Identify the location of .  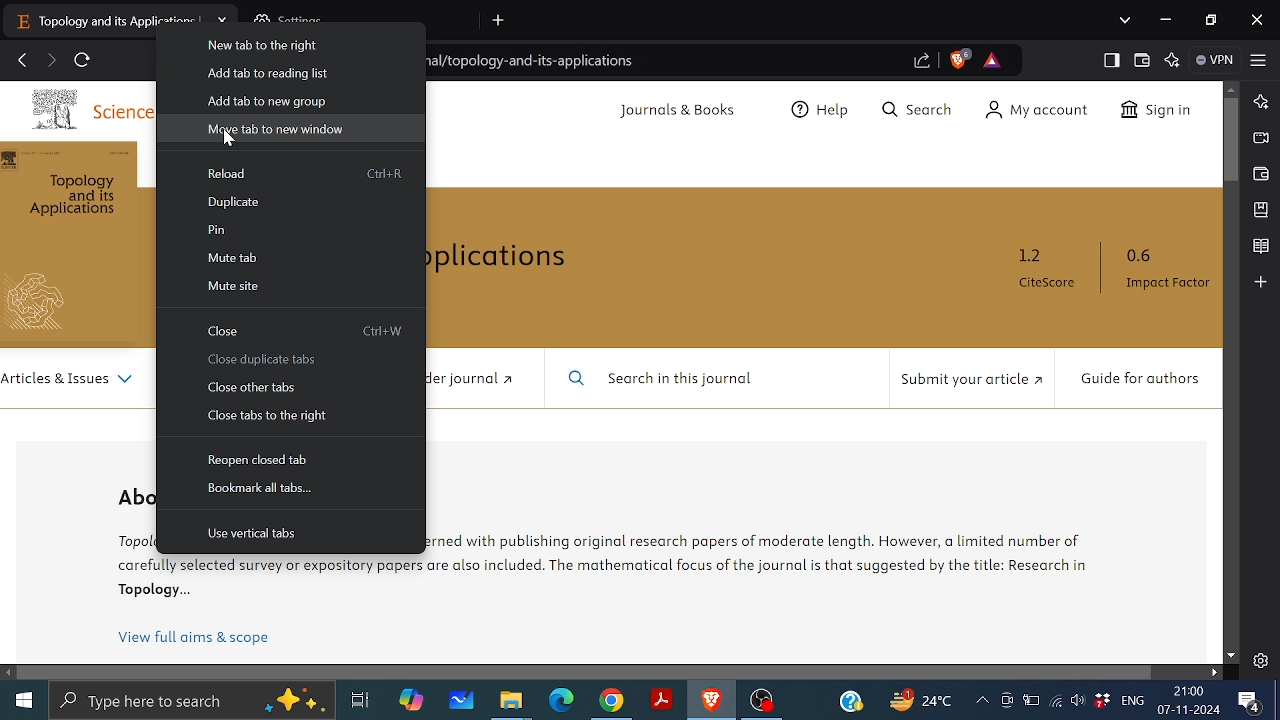
(1260, 136).